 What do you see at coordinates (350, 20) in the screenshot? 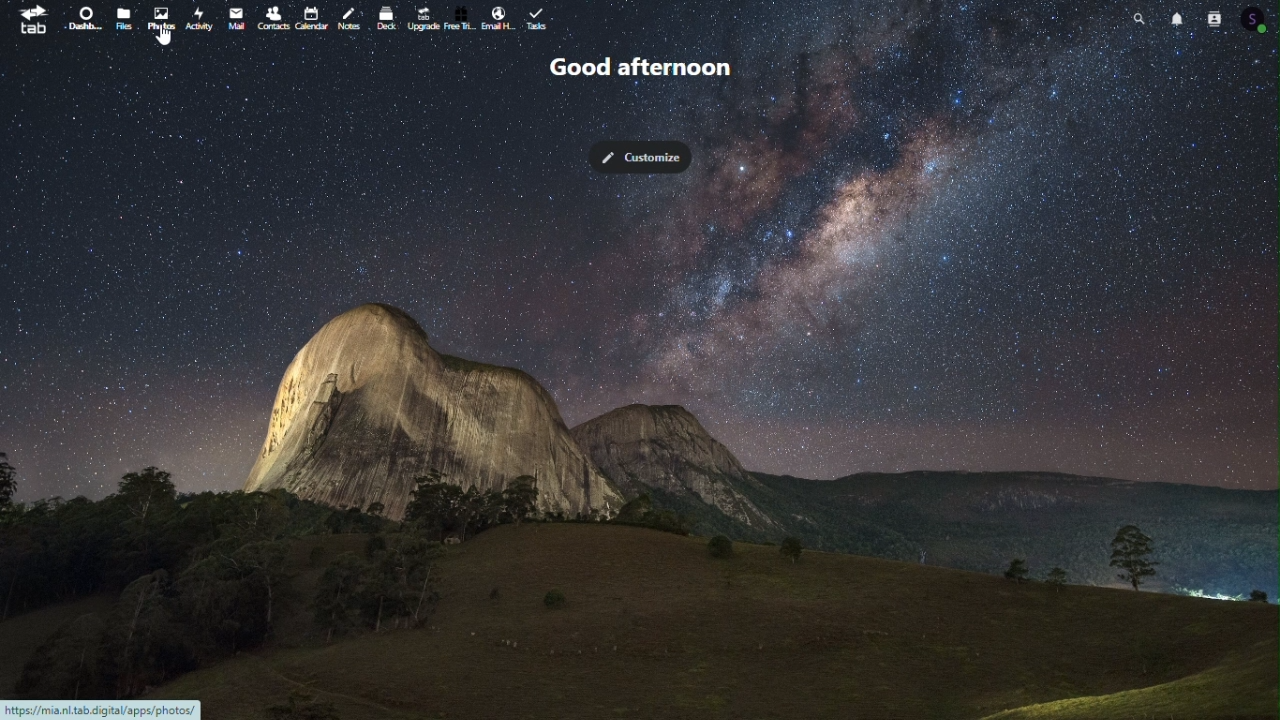
I see `notes` at bounding box center [350, 20].